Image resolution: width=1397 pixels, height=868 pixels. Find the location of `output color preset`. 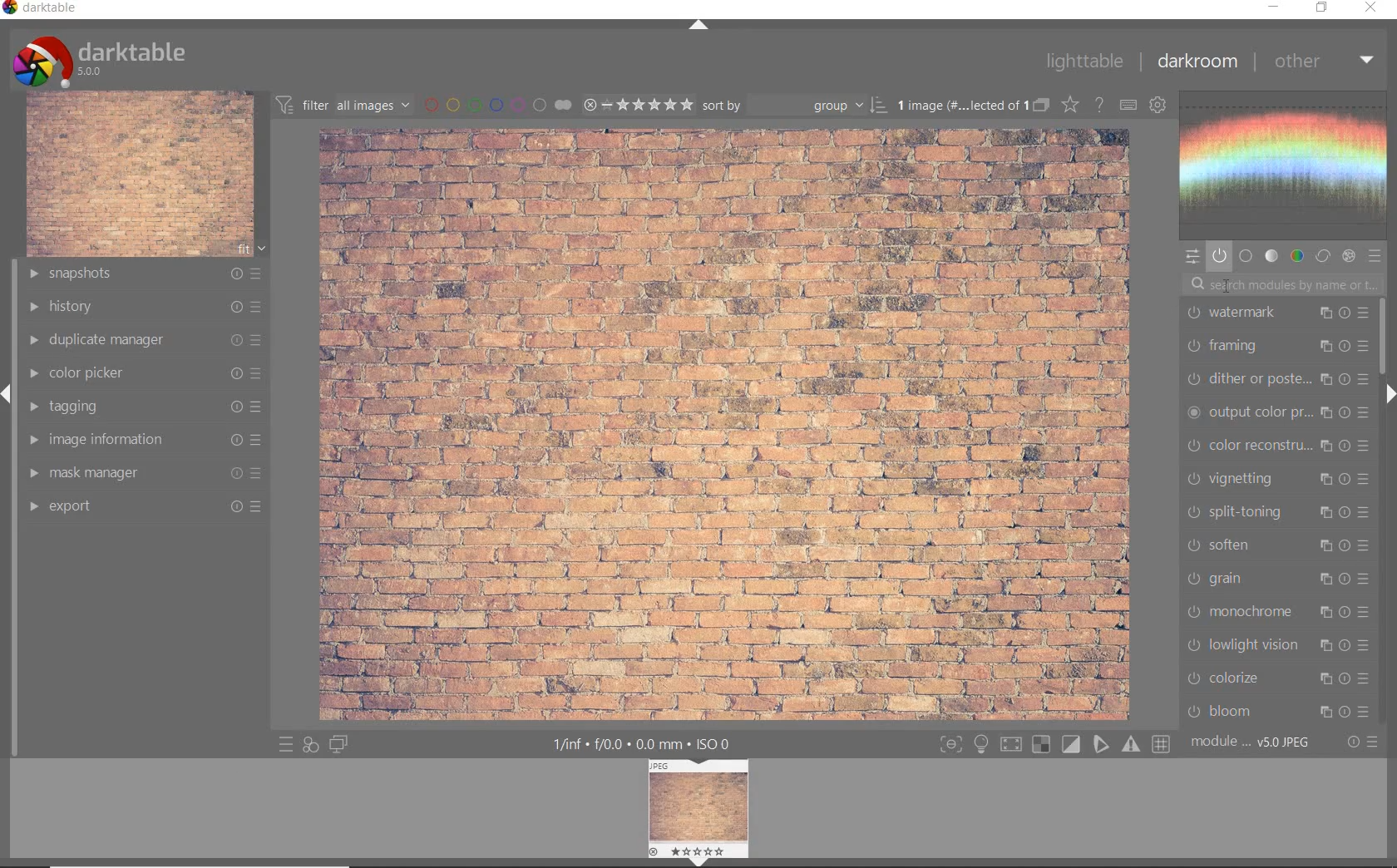

output color preset is located at coordinates (1276, 413).